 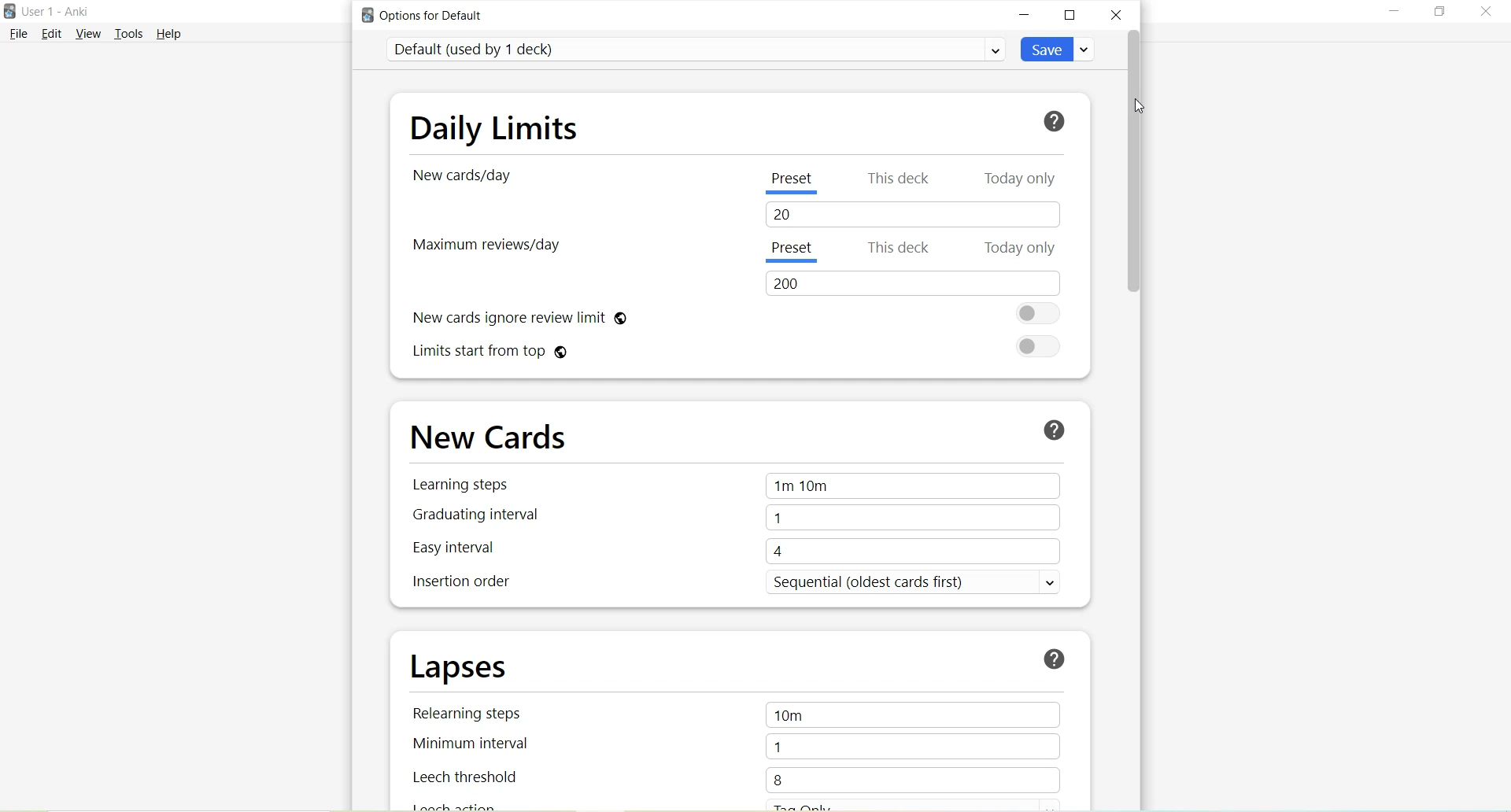 I want to click on Leech action, so click(x=460, y=805).